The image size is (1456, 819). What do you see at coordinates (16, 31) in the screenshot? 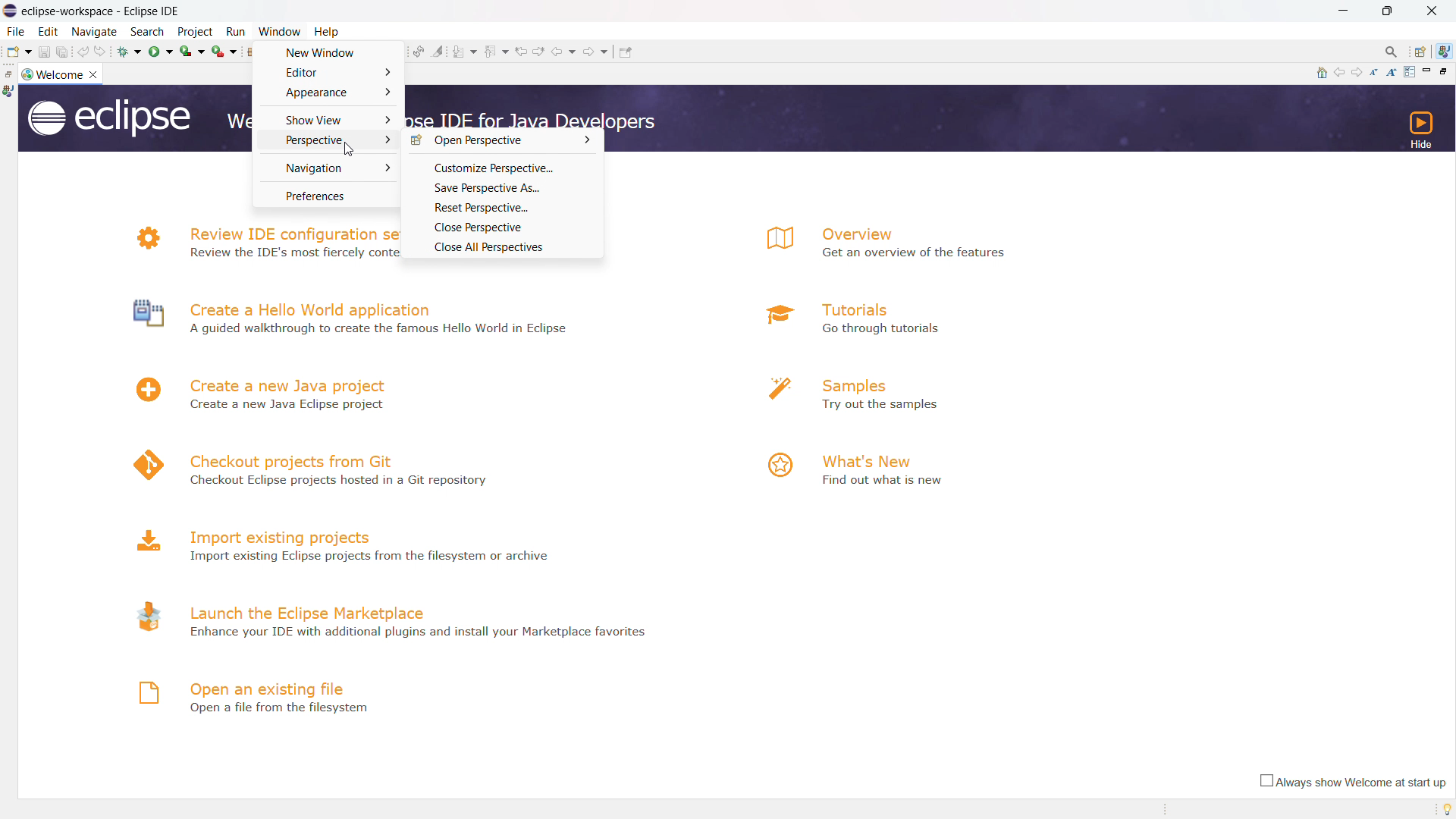
I see `file` at bounding box center [16, 31].